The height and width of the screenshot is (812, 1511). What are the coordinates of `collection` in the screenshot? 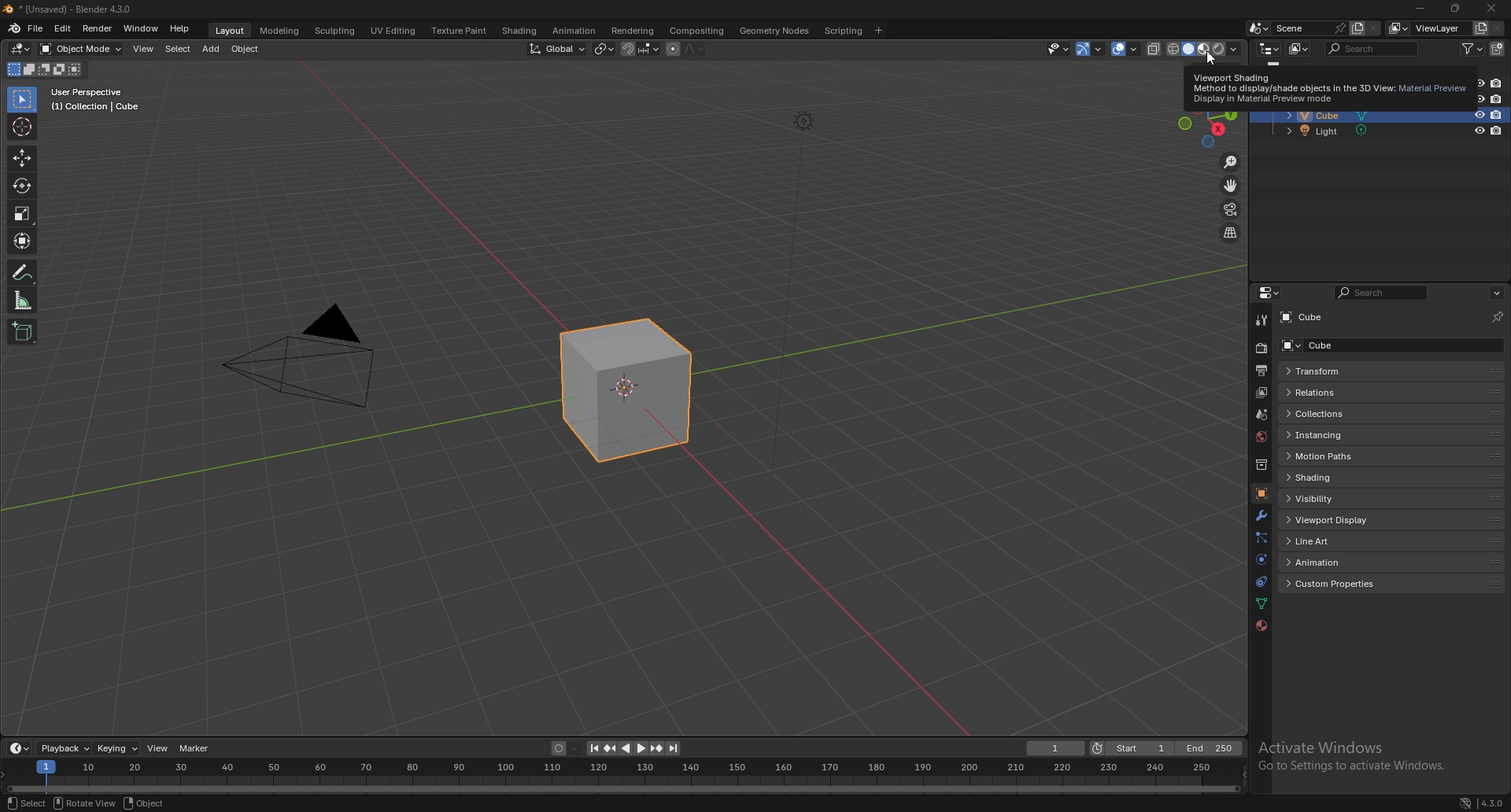 It's located at (1262, 464).